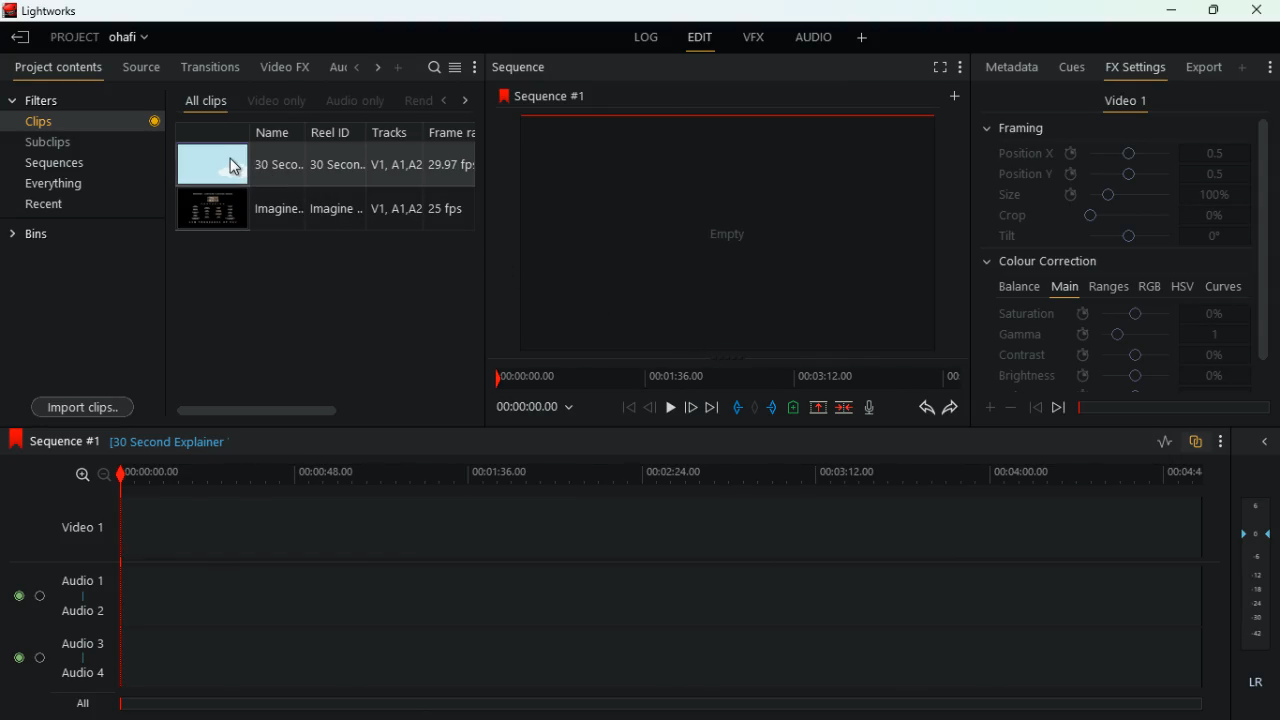  Describe the element at coordinates (321, 410) in the screenshot. I see `scroll` at that location.